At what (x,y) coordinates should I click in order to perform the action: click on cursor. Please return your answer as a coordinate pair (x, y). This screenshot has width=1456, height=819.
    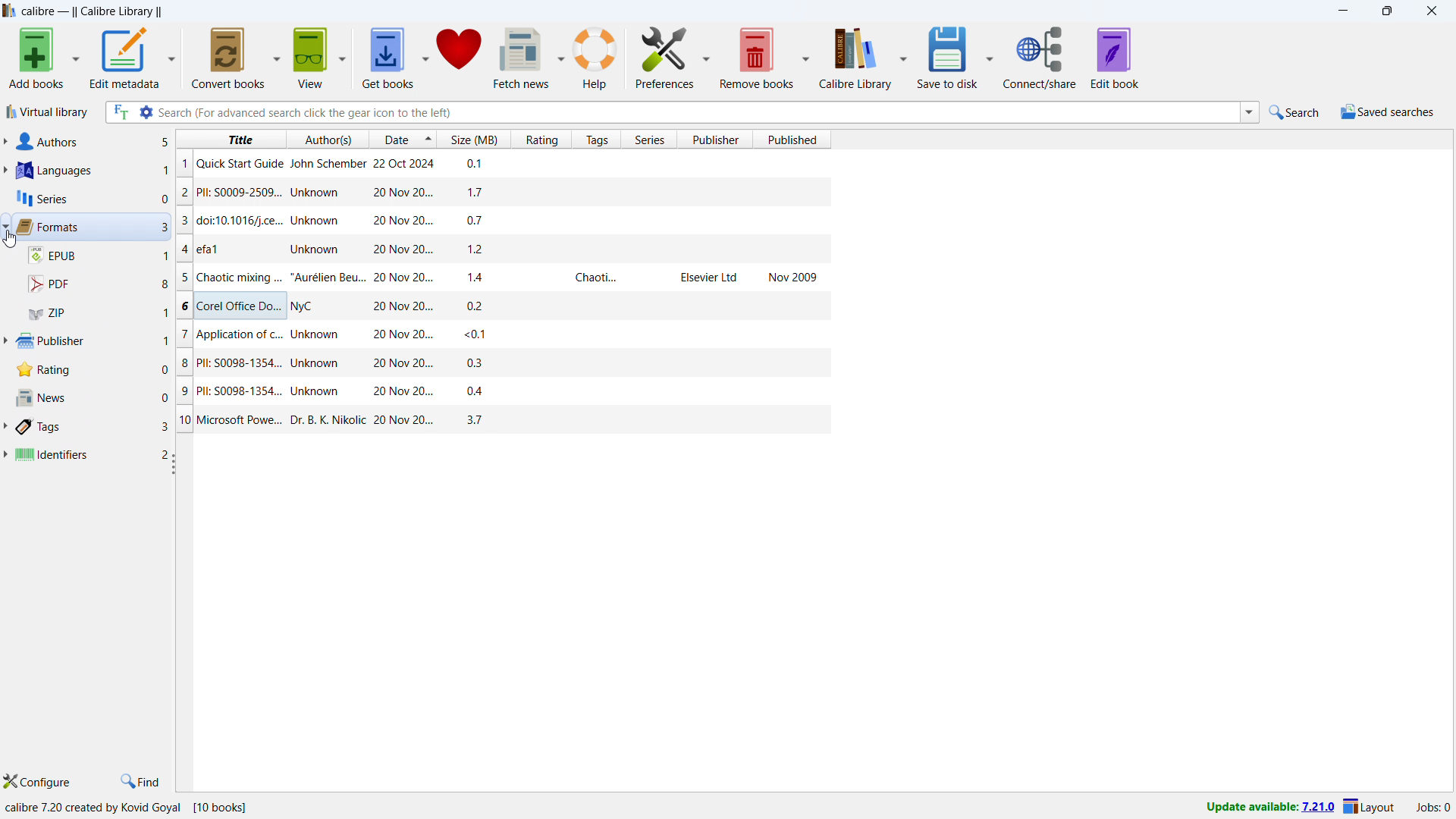
    Looking at the image, I should click on (10, 240).